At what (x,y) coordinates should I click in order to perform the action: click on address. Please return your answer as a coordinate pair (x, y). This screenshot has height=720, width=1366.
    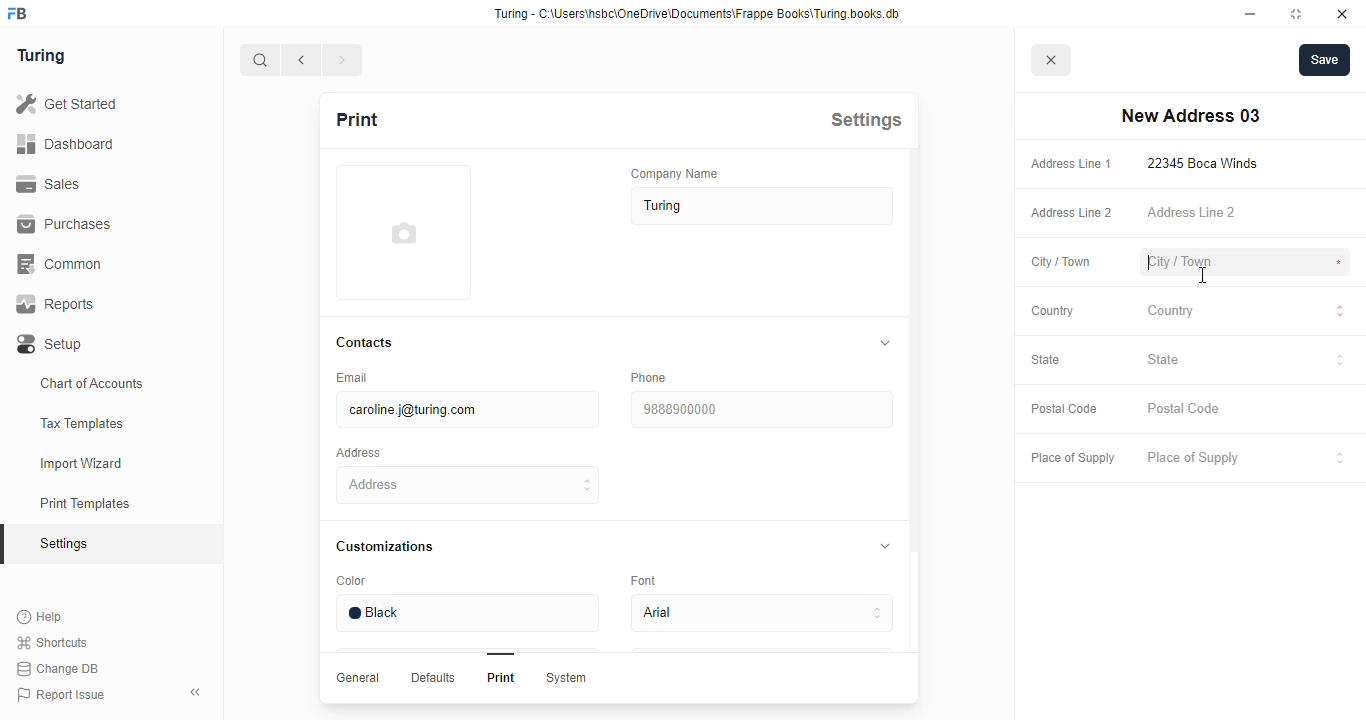
    Looking at the image, I should click on (358, 453).